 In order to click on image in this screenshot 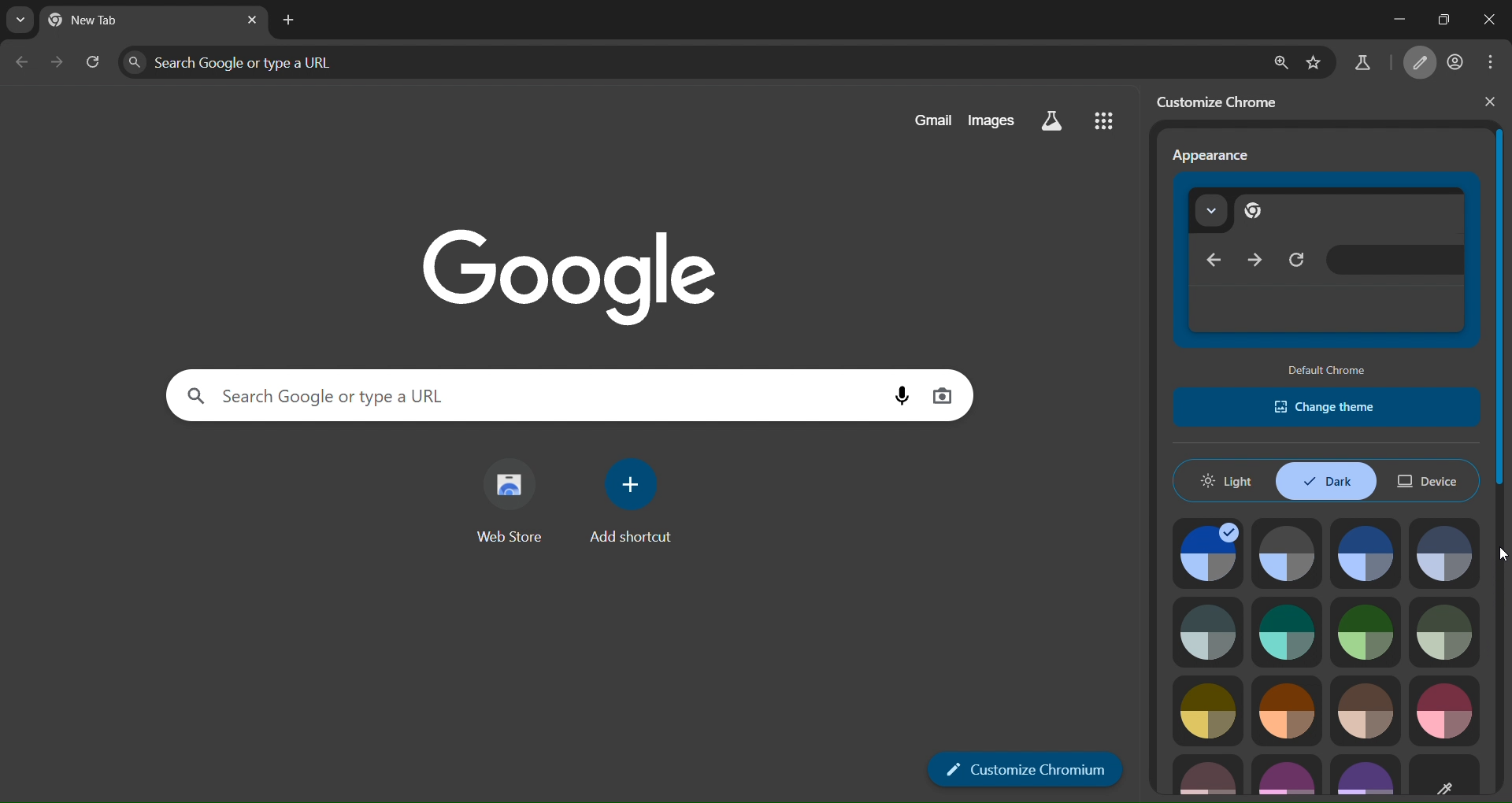, I will do `click(2872, 1387)`.